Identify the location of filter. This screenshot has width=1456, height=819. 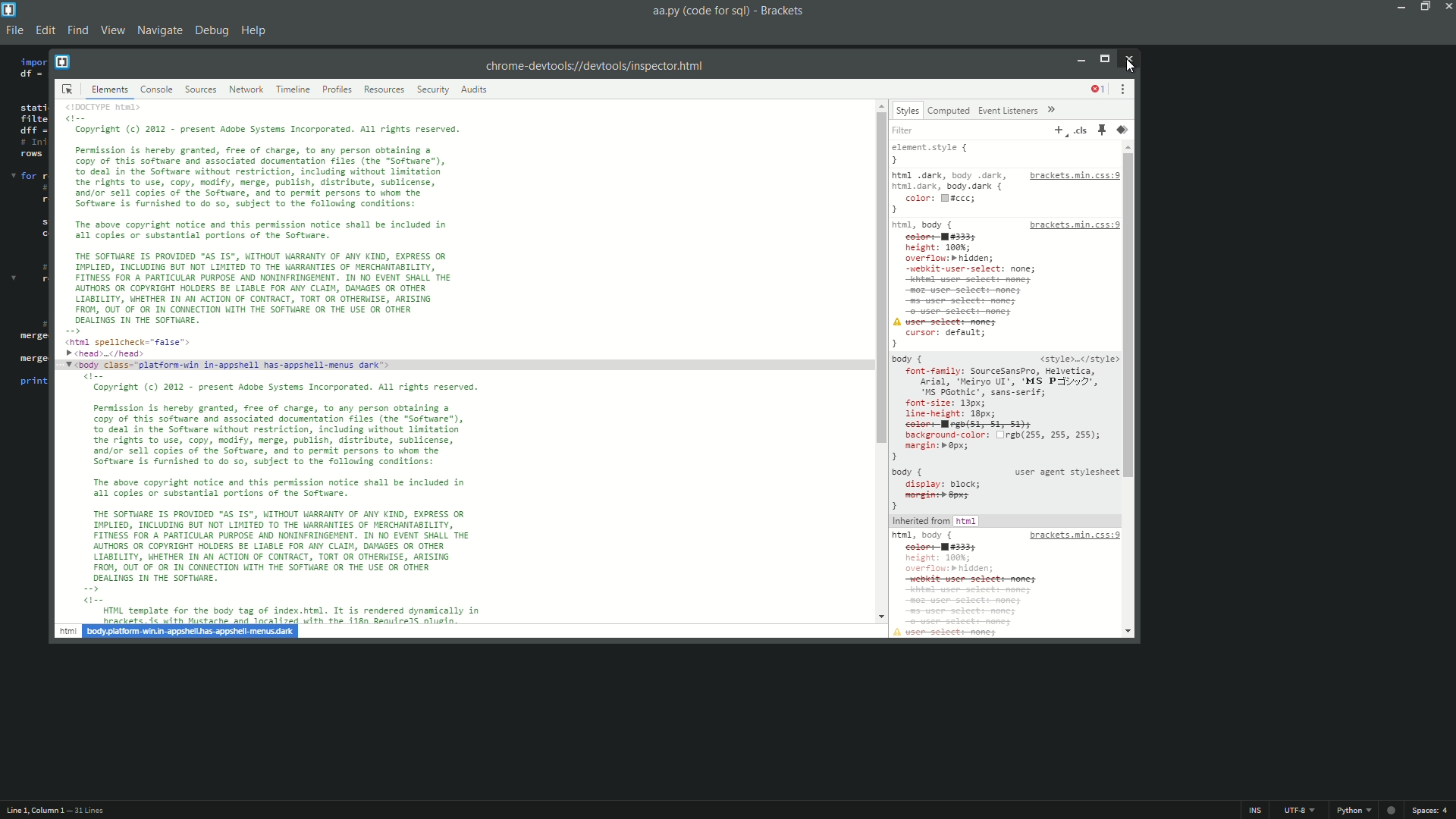
(908, 129).